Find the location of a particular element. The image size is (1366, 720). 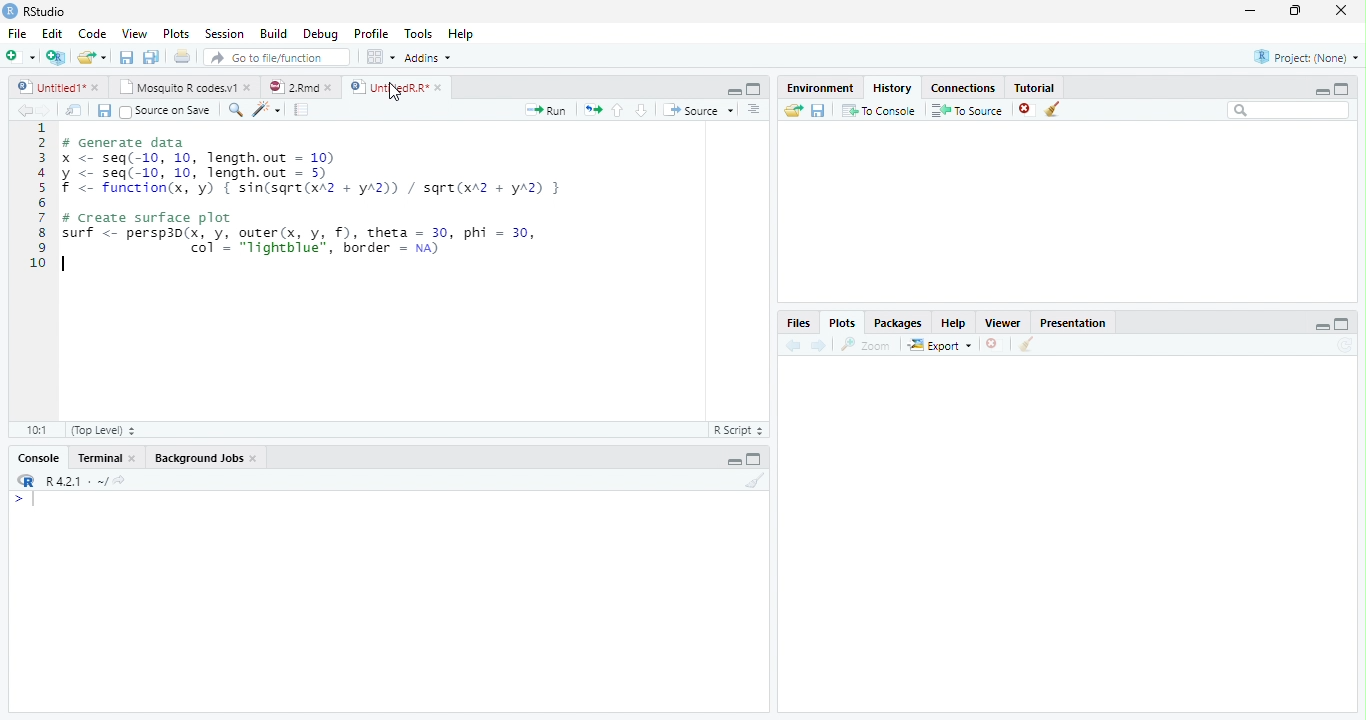

New line is located at coordinates (24, 502).